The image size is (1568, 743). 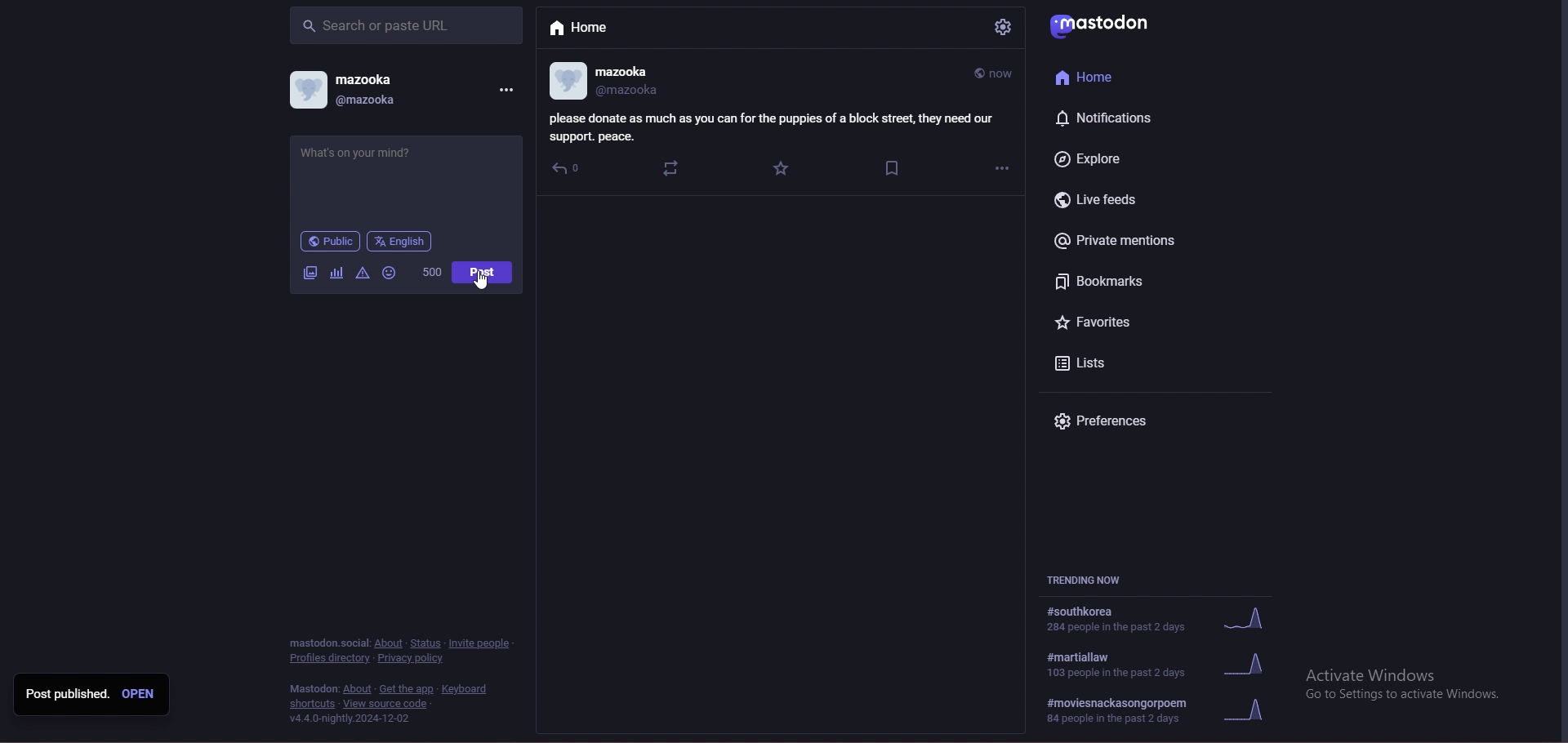 I want to click on image, so click(x=307, y=274).